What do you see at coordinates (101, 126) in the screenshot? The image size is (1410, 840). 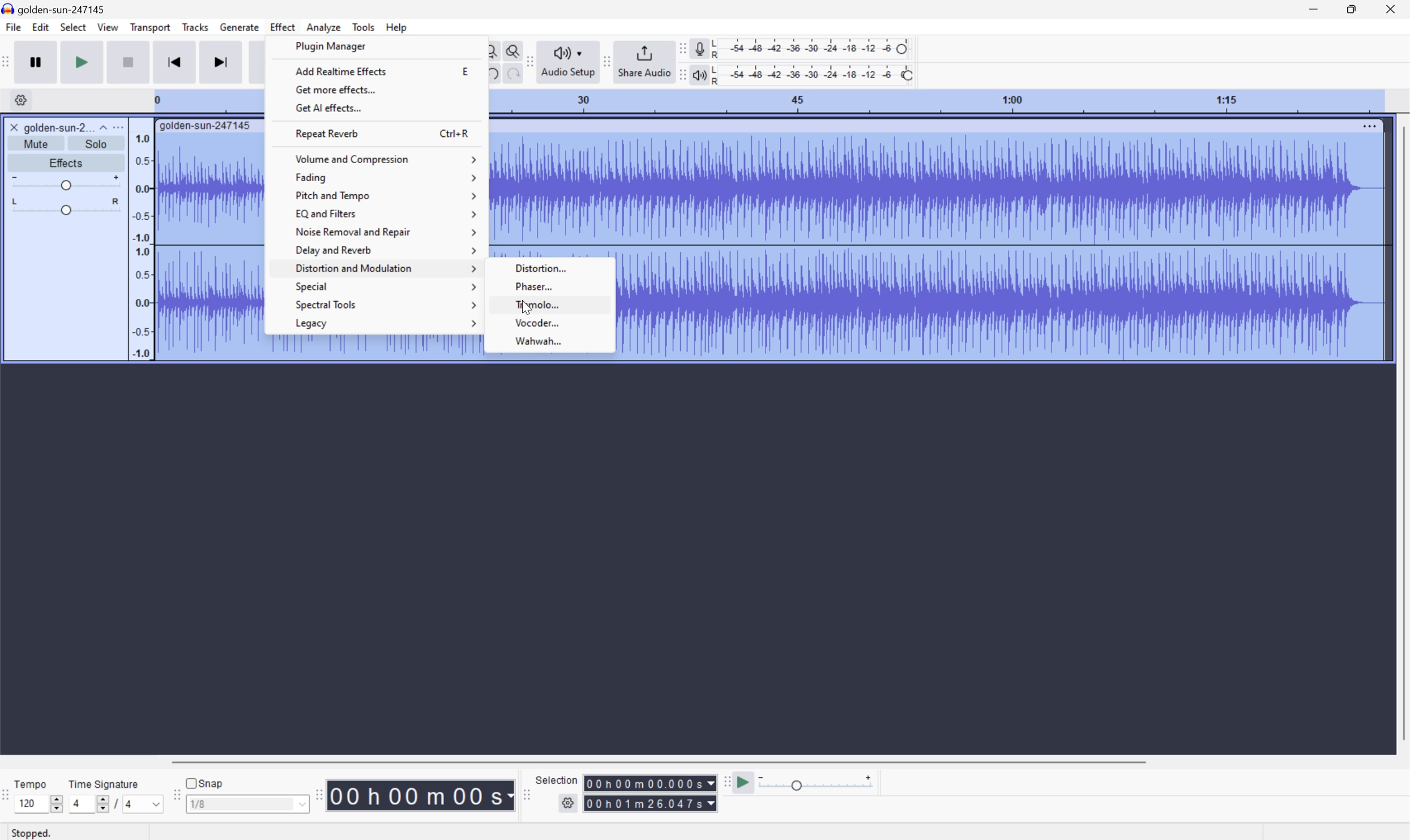 I see `Drop Down` at bounding box center [101, 126].